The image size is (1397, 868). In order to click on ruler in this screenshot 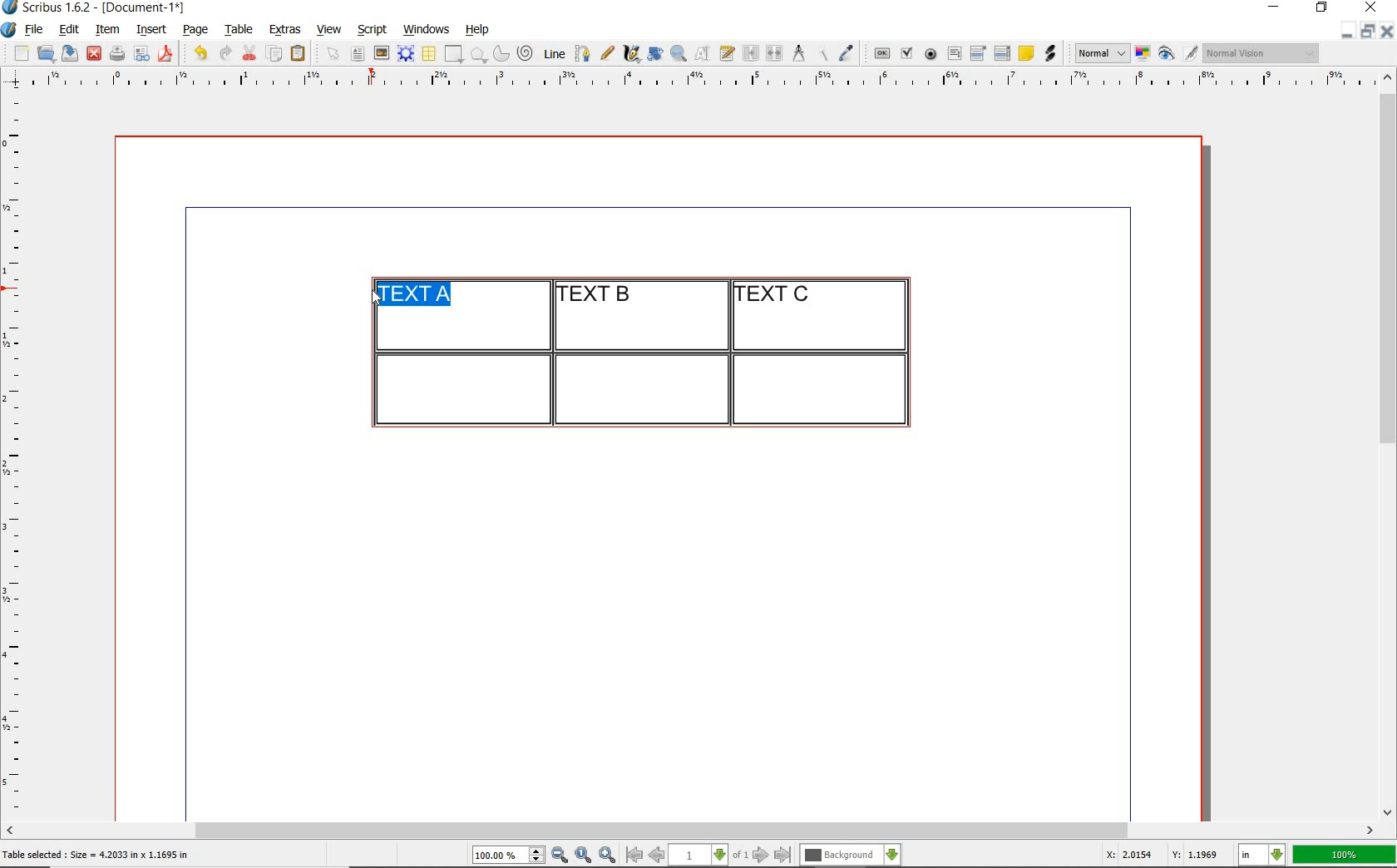, I will do `click(709, 81)`.